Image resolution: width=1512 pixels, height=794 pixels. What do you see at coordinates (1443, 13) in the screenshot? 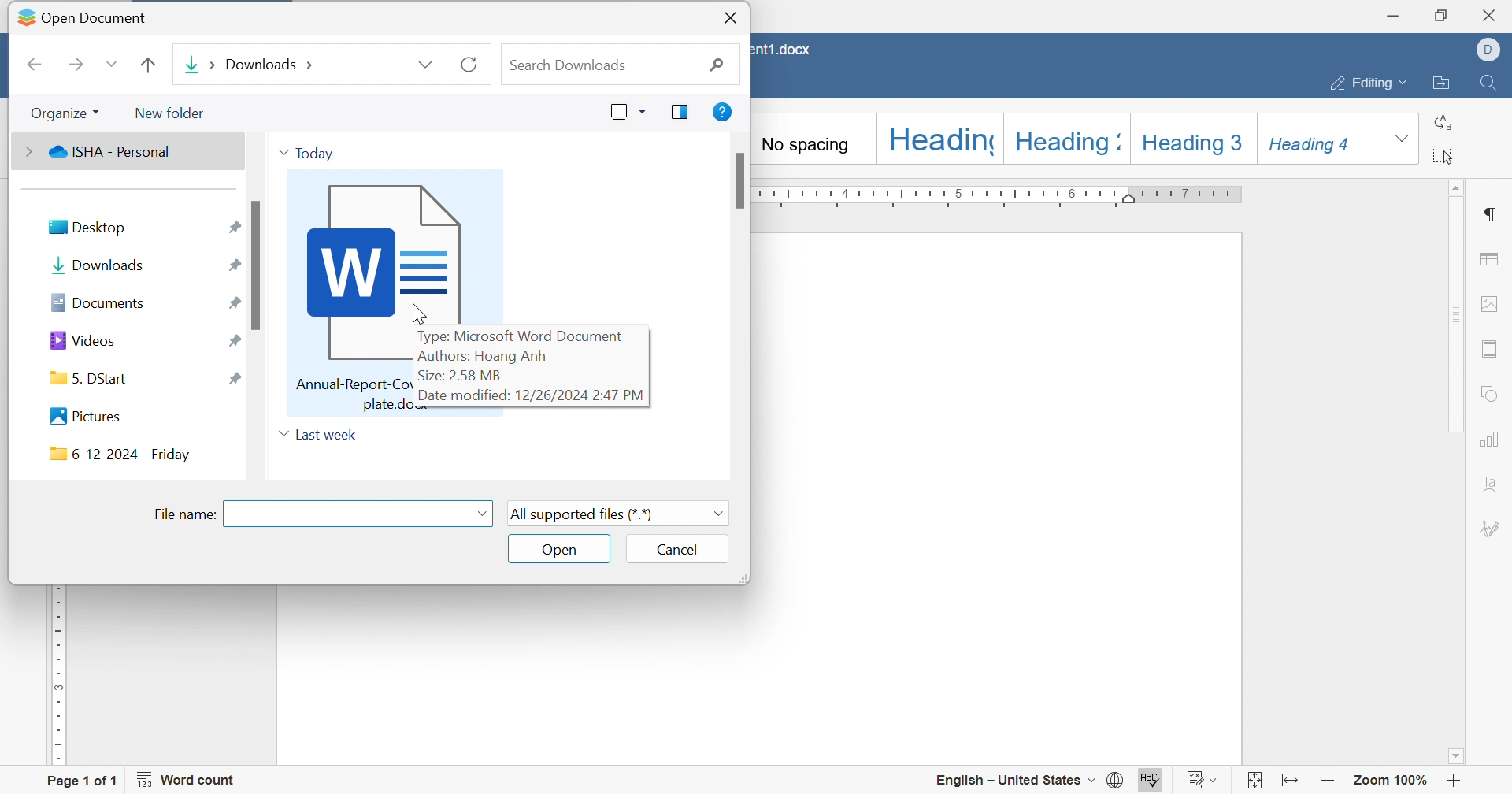
I see `restore down` at bounding box center [1443, 13].